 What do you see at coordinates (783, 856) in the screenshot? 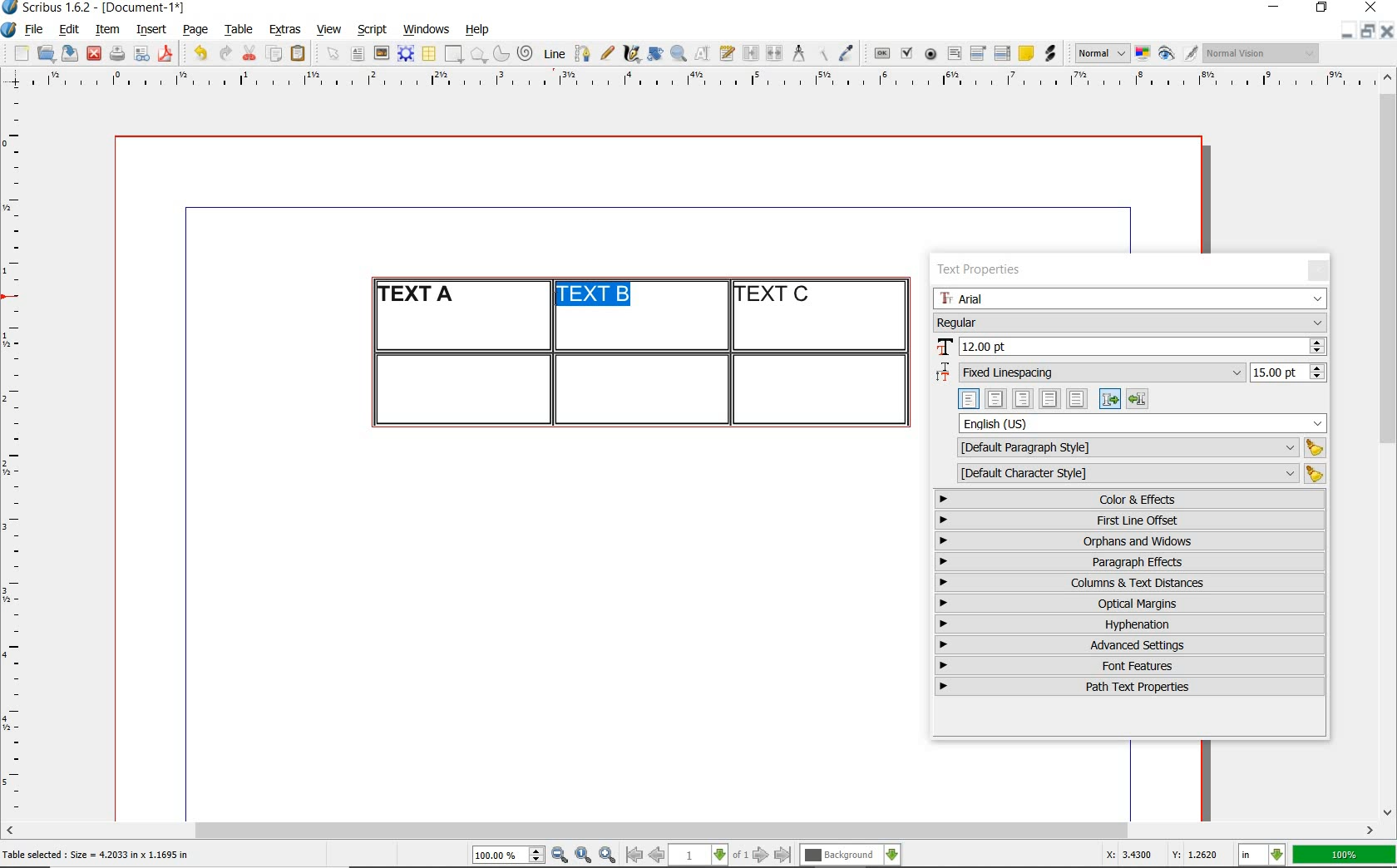
I see `go to last page` at bounding box center [783, 856].